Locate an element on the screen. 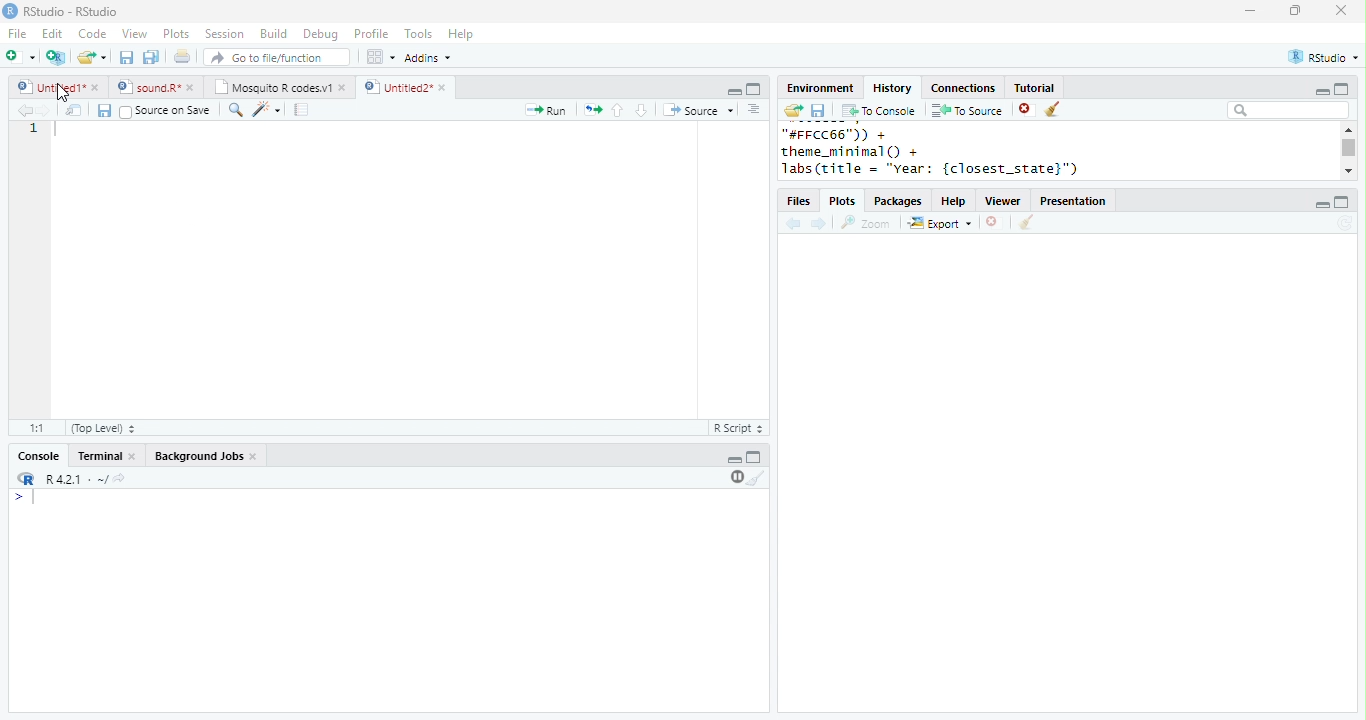 The width and height of the screenshot is (1366, 720). "#FFCC66™)) +
theme_minimal () +
Jabs(title = "vear: {closest_state}") is located at coordinates (948, 152).